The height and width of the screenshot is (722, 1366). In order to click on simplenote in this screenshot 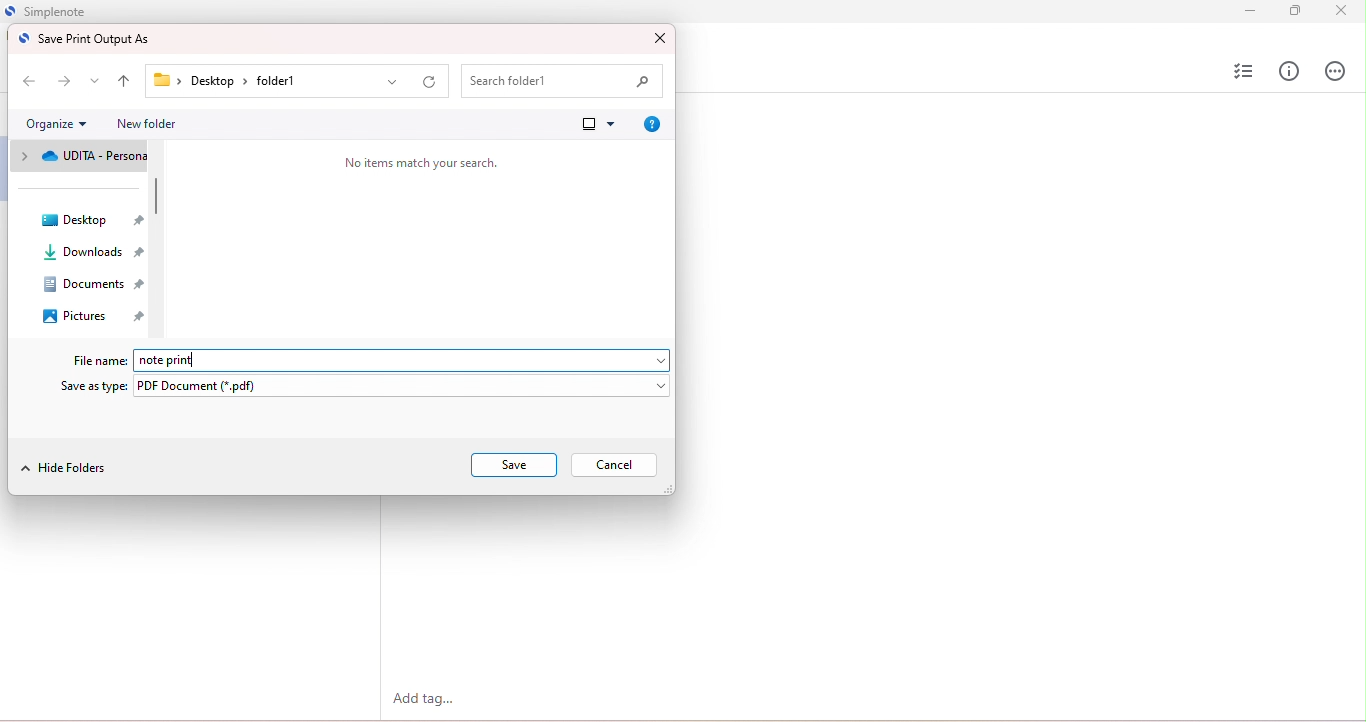, I will do `click(71, 11)`.